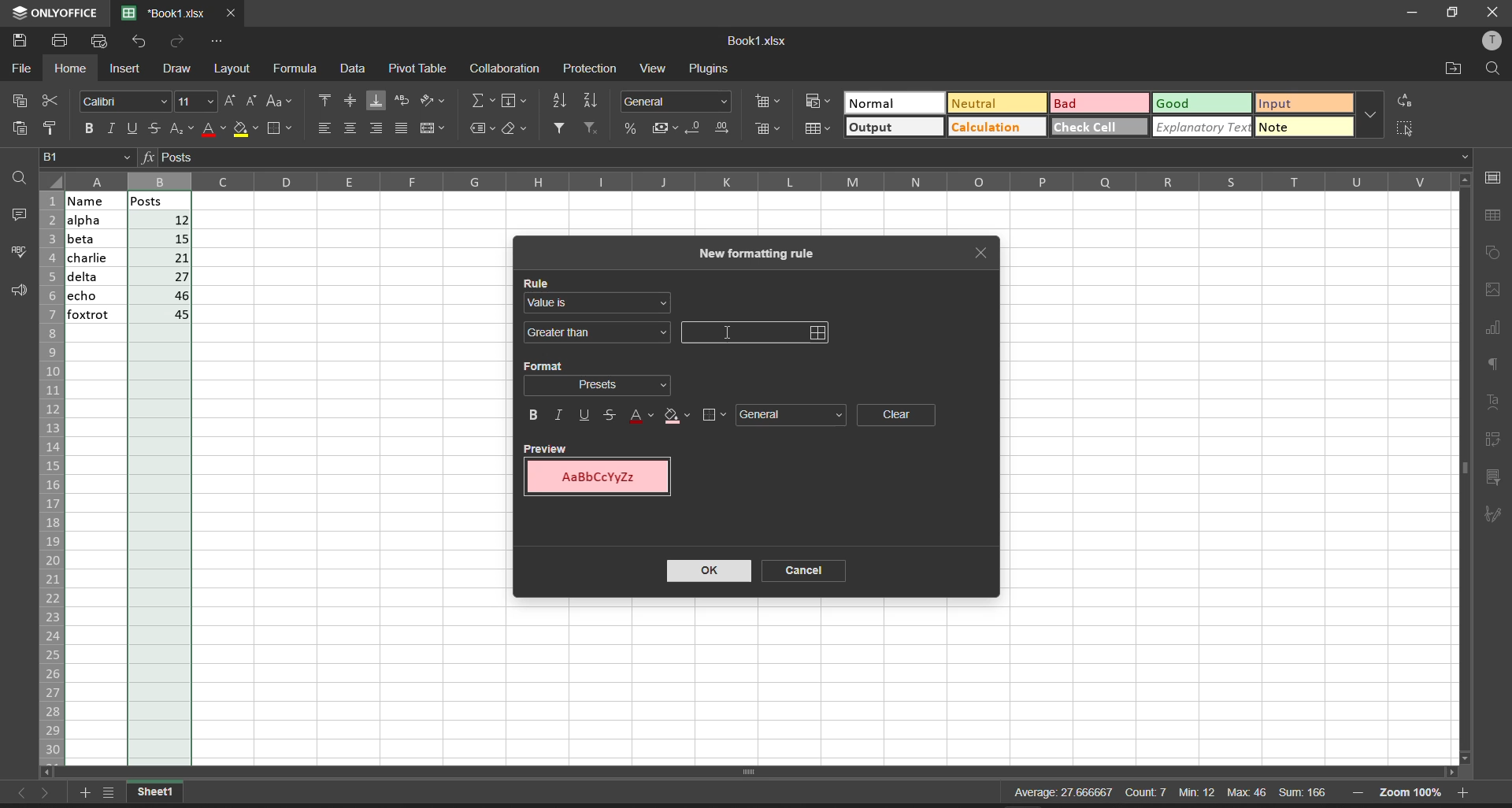 This screenshot has width=1512, height=808. What do you see at coordinates (591, 68) in the screenshot?
I see `protection` at bounding box center [591, 68].